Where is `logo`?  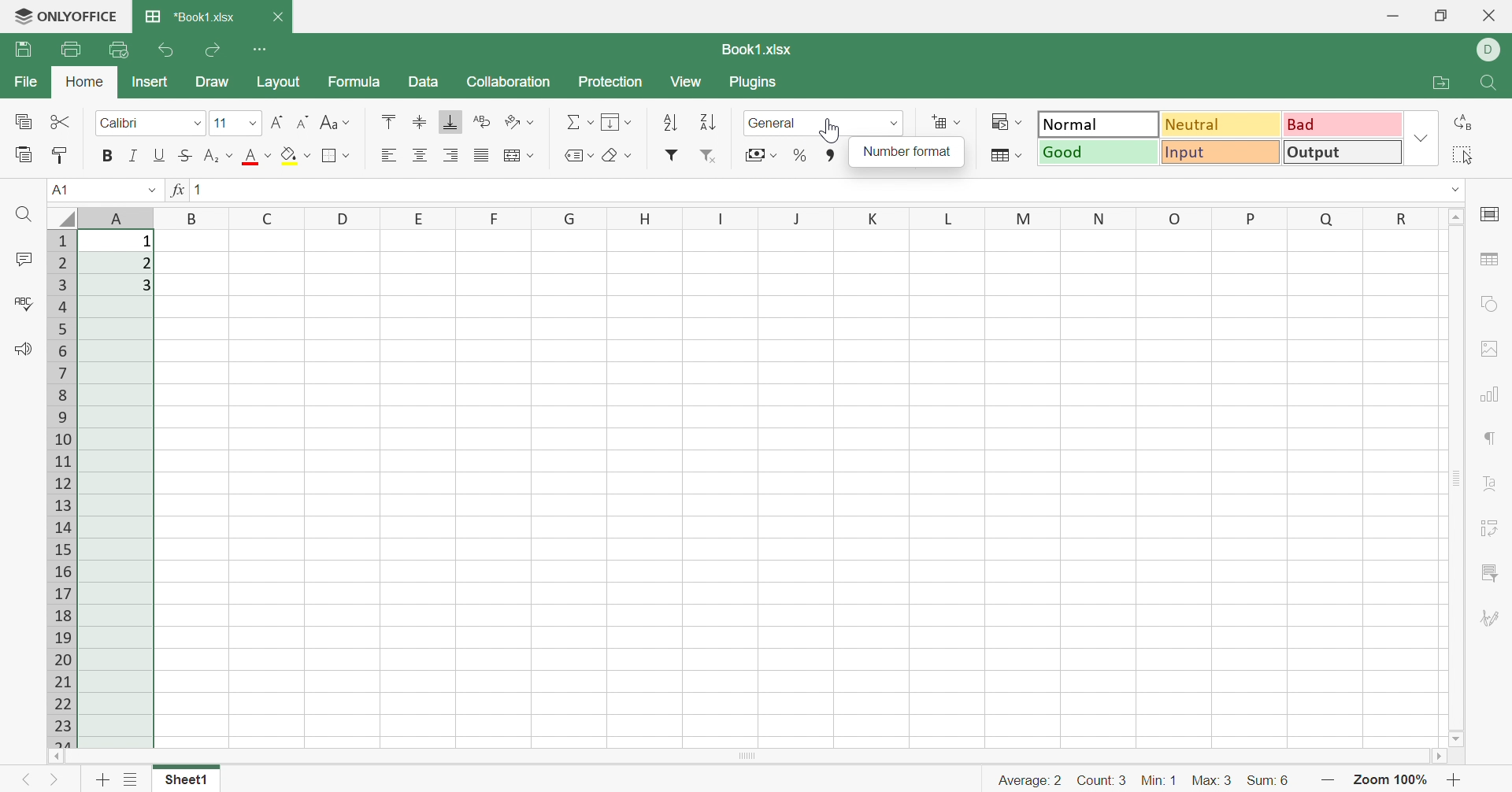
logo is located at coordinates (16, 15).